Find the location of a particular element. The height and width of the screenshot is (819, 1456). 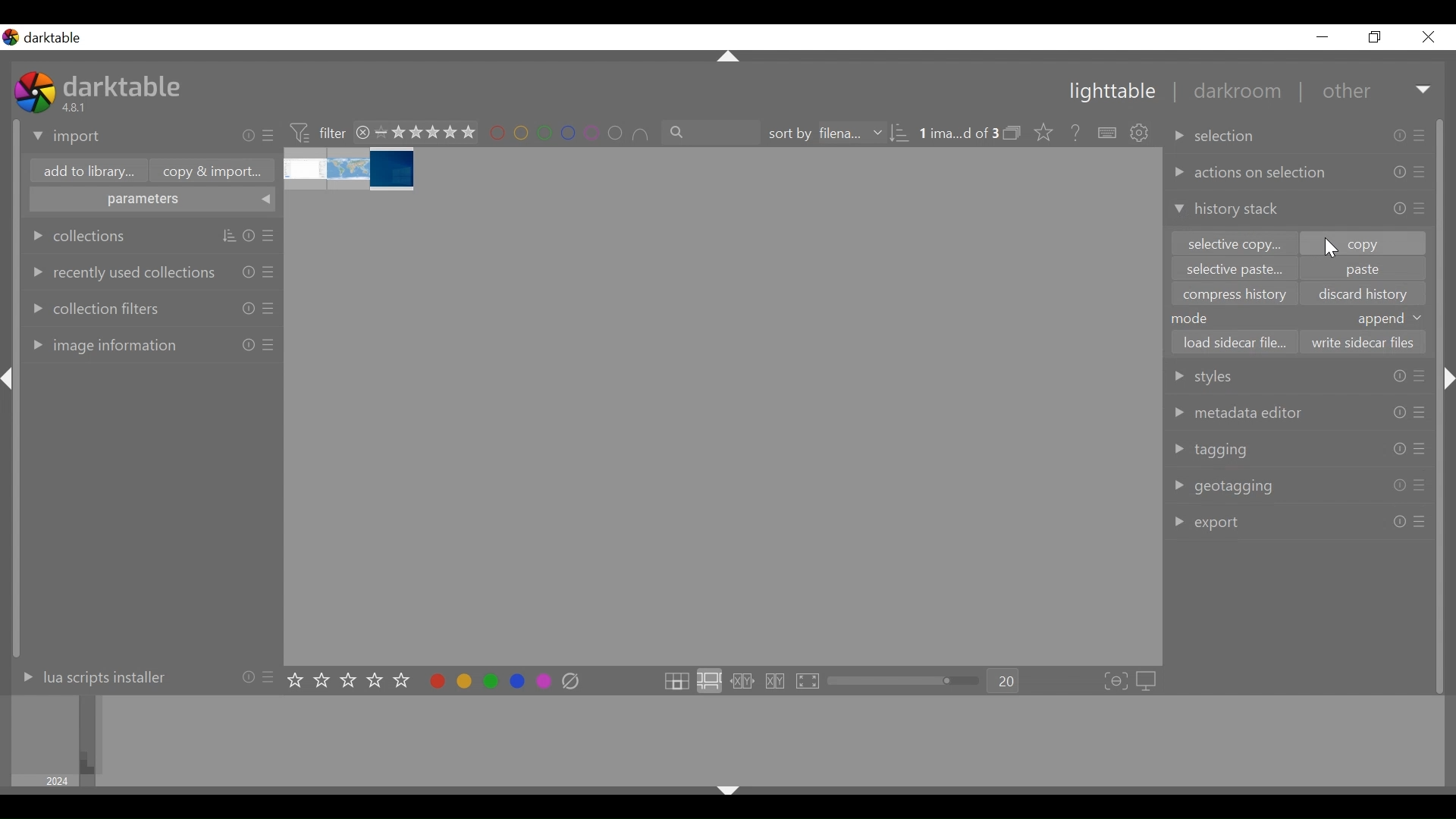

presets is located at coordinates (1420, 522).